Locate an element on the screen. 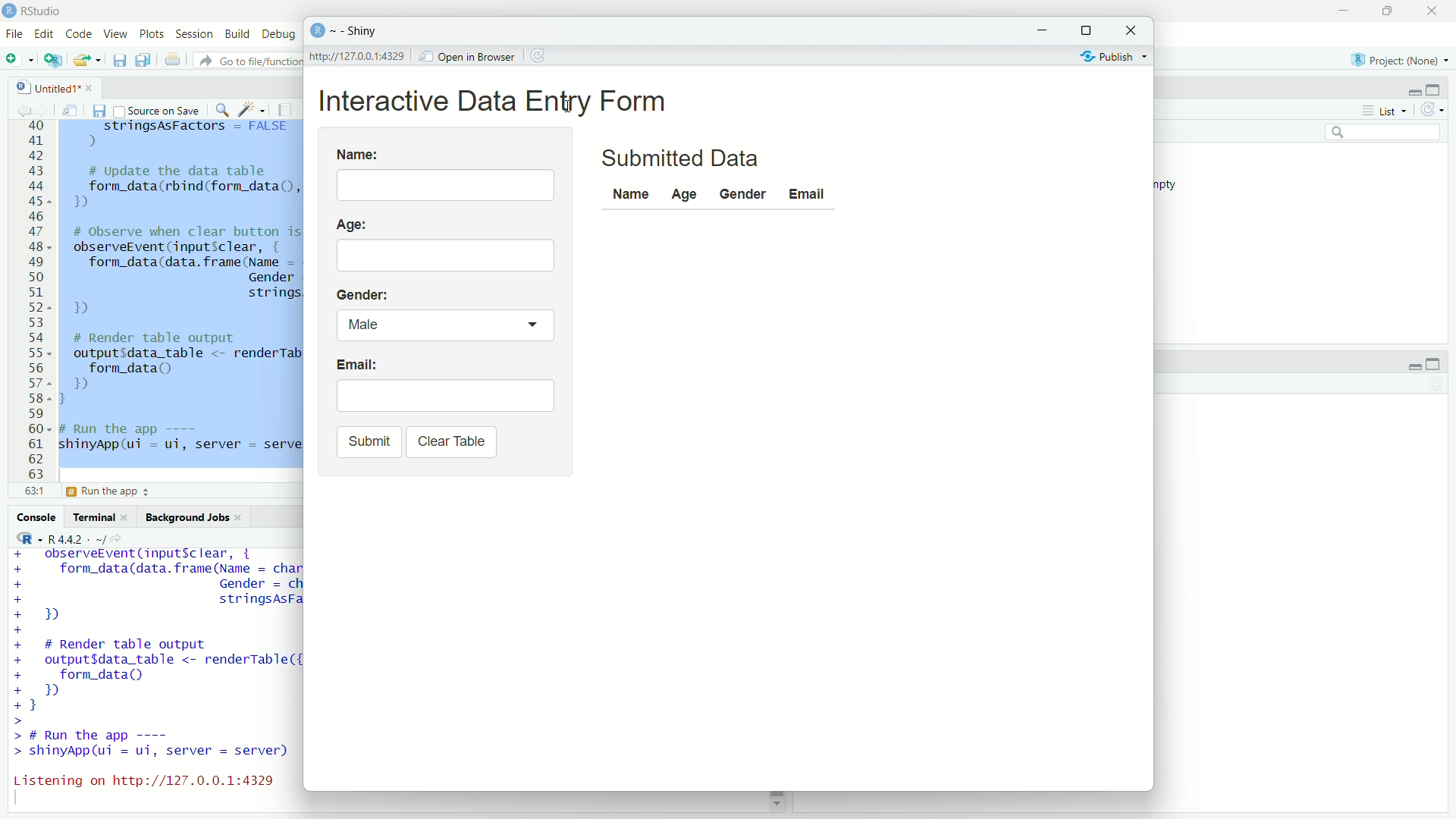 The width and height of the screenshot is (1456, 819). Project: (None) is located at coordinates (1401, 60).